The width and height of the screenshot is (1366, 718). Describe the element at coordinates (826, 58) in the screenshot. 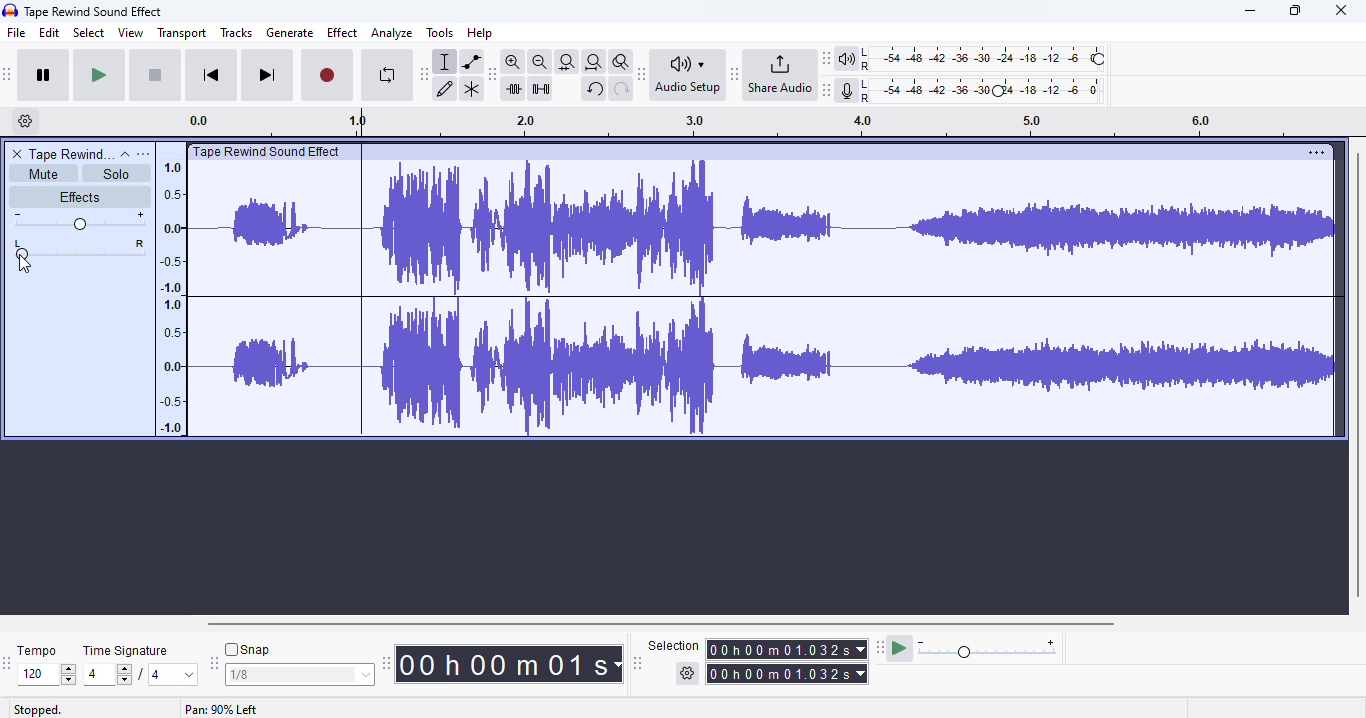

I see `audacity playback meter toolbar` at that location.